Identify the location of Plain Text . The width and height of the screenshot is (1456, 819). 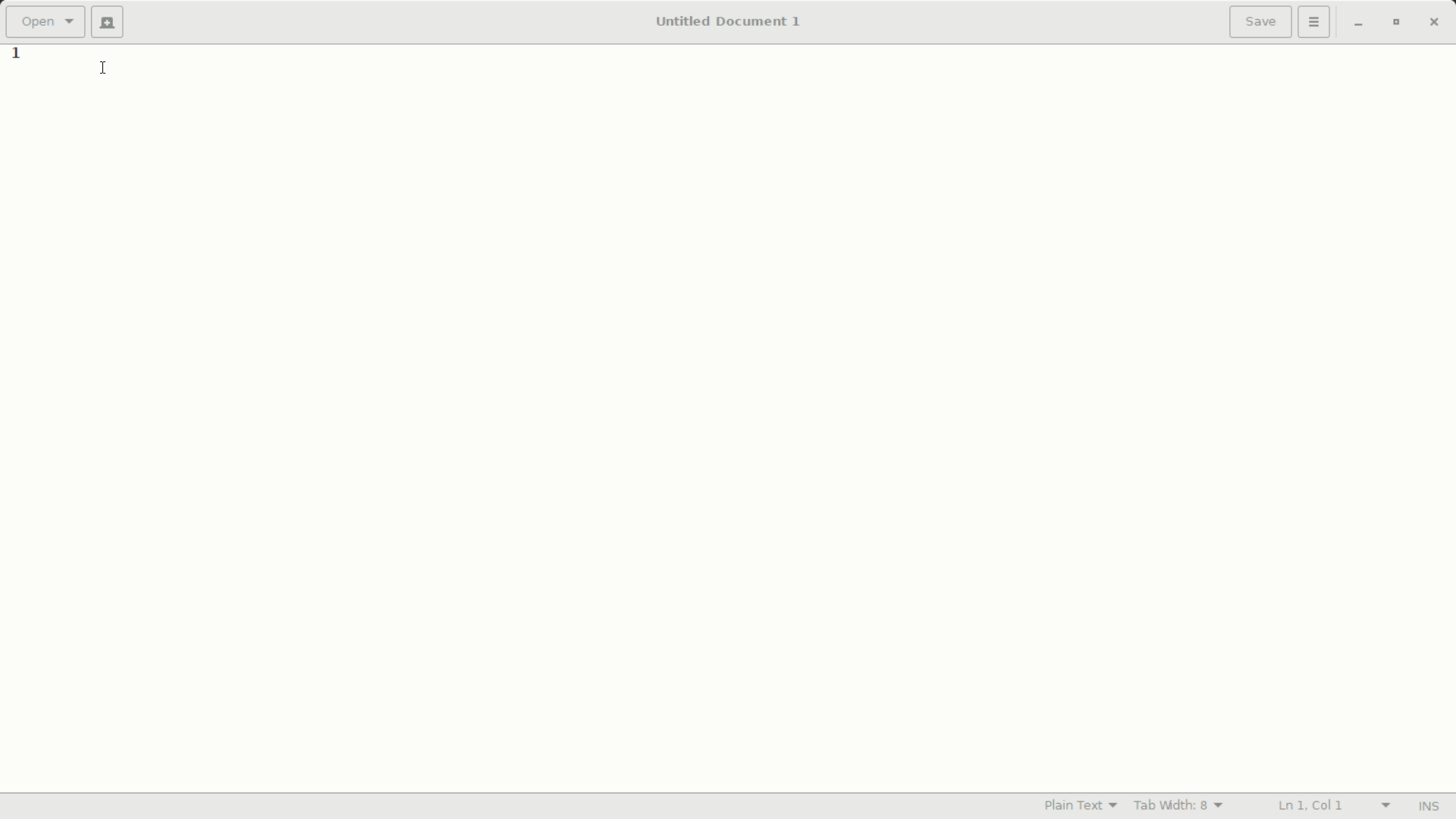
(1081, 806).